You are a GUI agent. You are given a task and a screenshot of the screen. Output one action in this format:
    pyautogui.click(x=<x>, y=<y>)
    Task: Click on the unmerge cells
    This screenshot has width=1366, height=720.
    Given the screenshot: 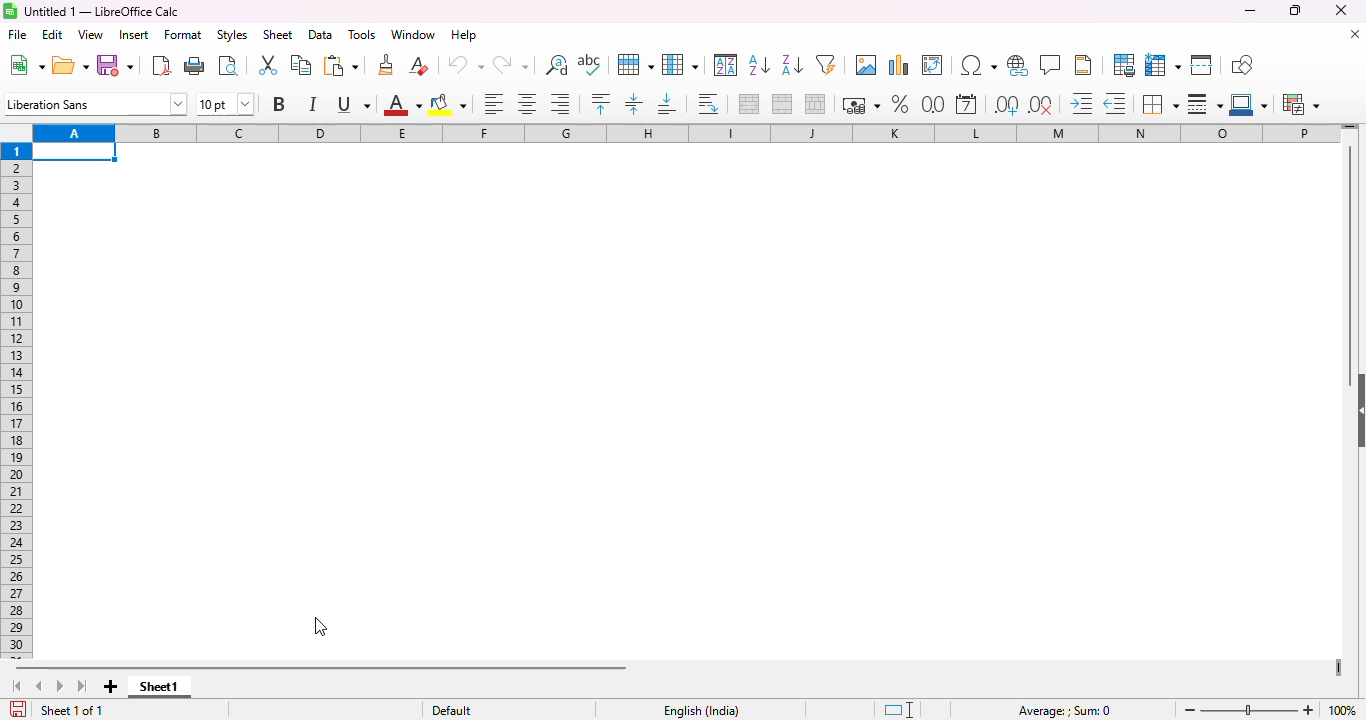 What is the action you would take?
    pyautogui.click(x=815, y=104)
    